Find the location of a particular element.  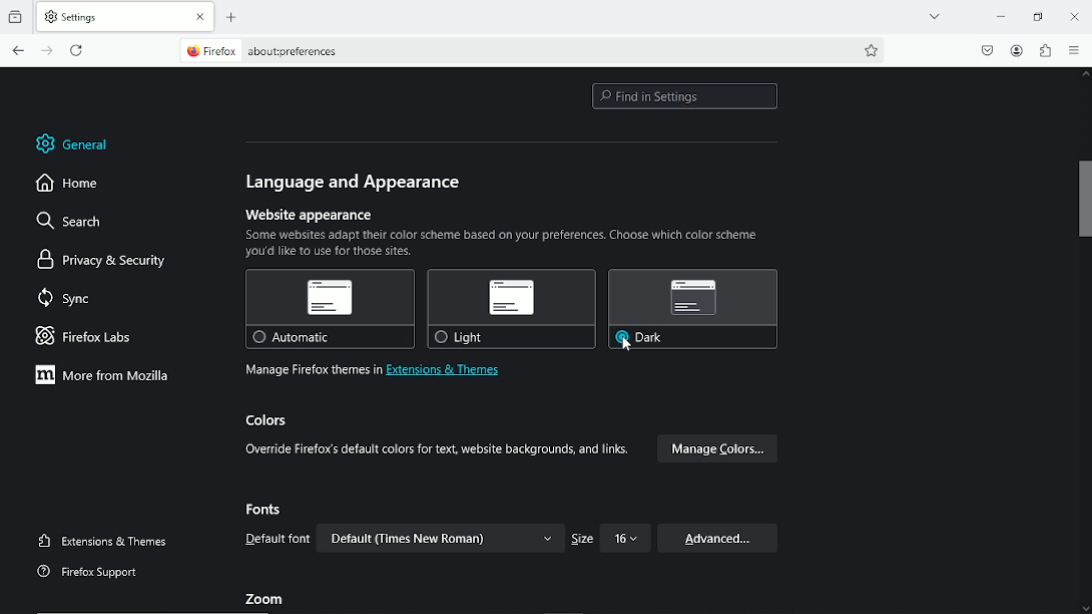

Override Firefox's default colors for text, website backgrounds, and links. is located at coordinates (437, 452).